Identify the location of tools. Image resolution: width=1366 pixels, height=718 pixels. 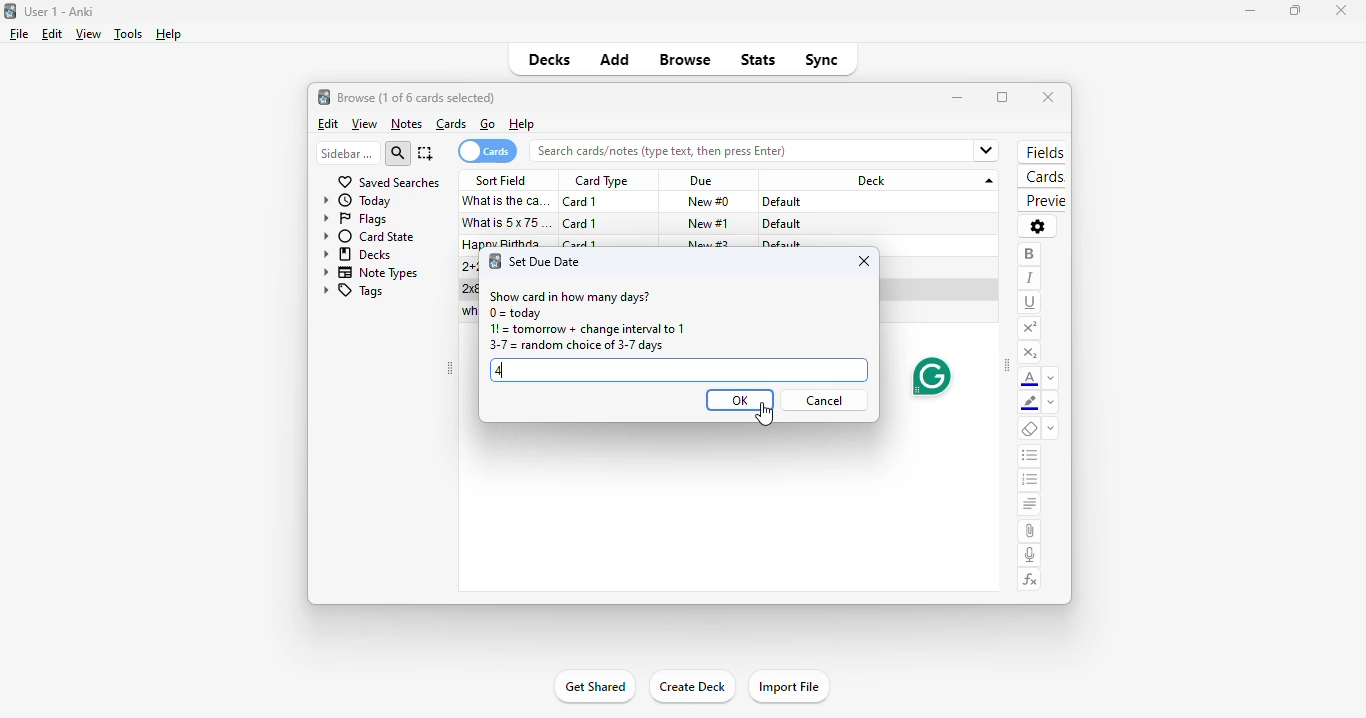
(127, 35).